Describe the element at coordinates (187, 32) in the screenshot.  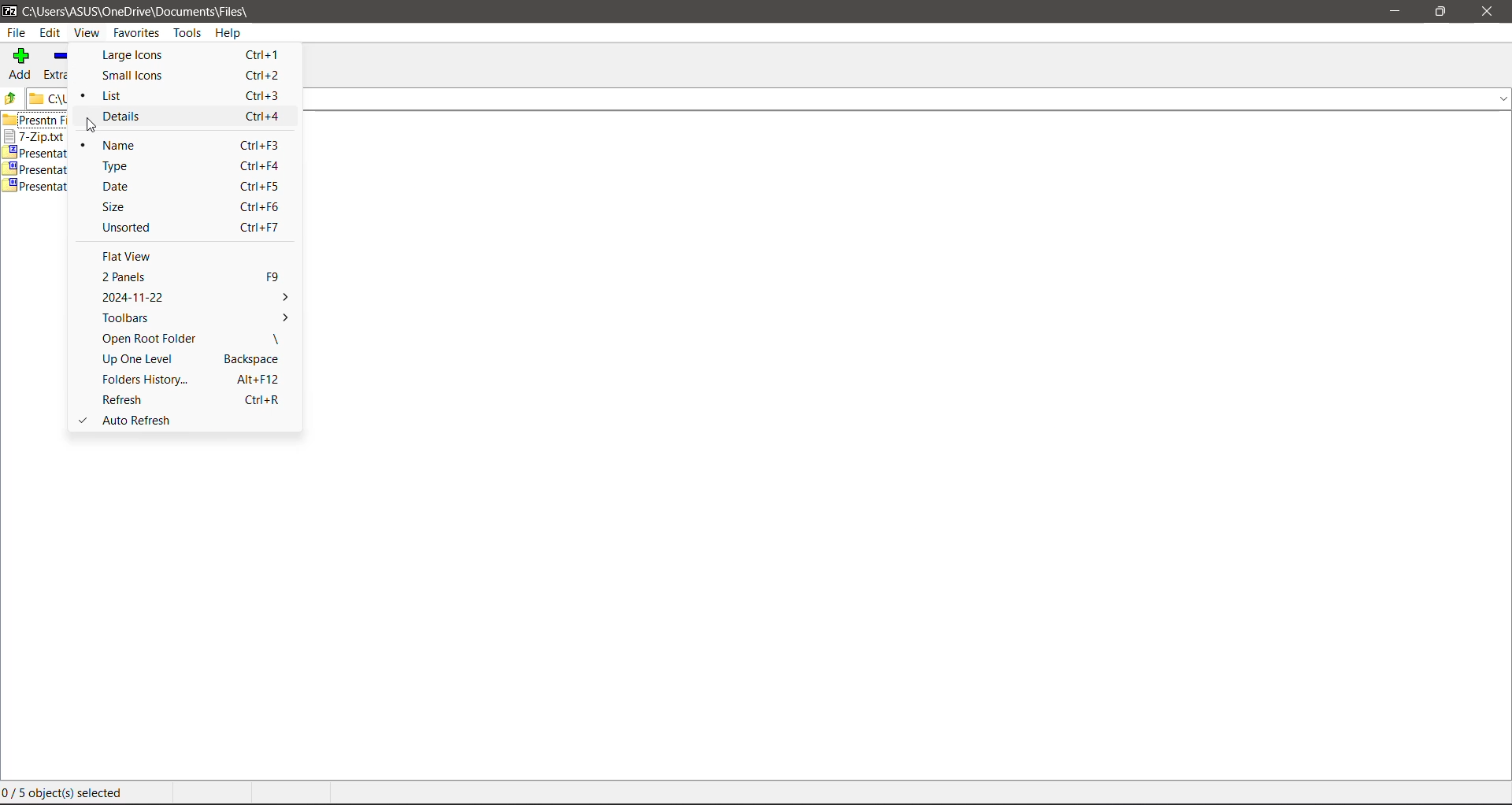
I see `Tools` at that location.